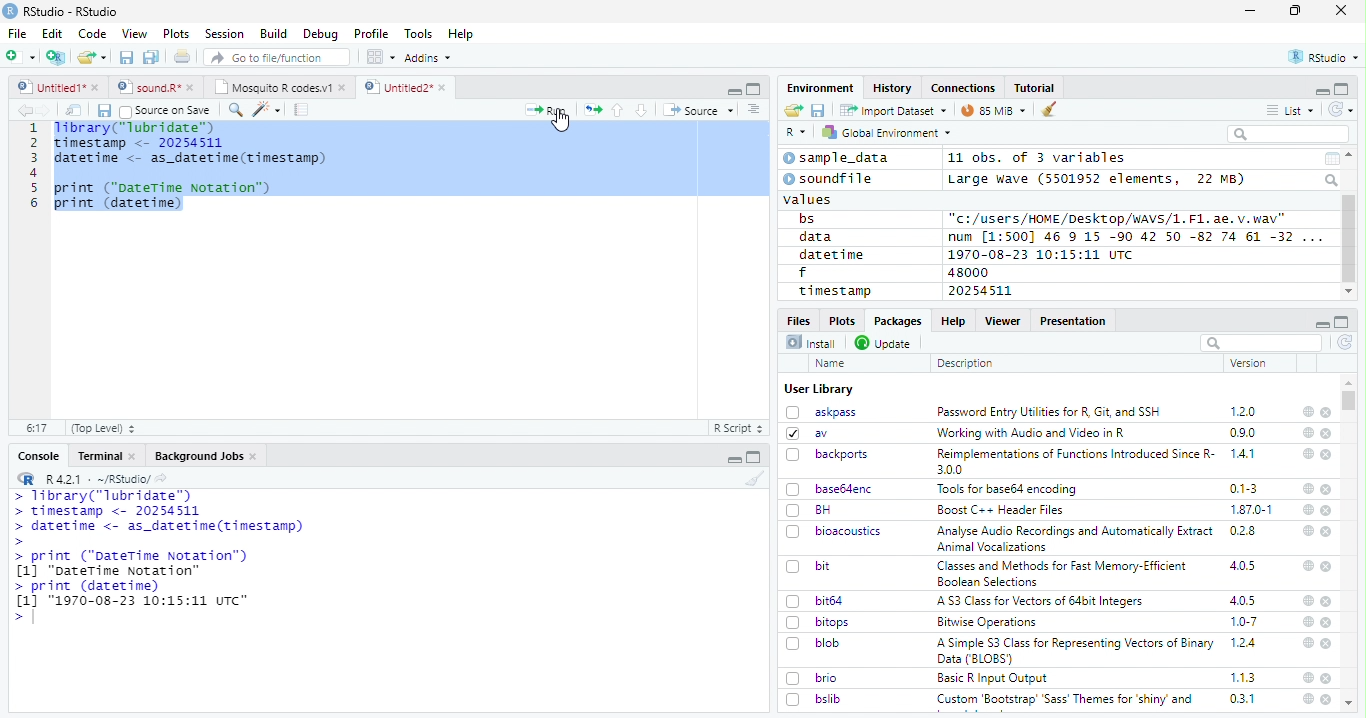 The image size is (1366, 718). I want to click on Create a project, so click(56, 57).